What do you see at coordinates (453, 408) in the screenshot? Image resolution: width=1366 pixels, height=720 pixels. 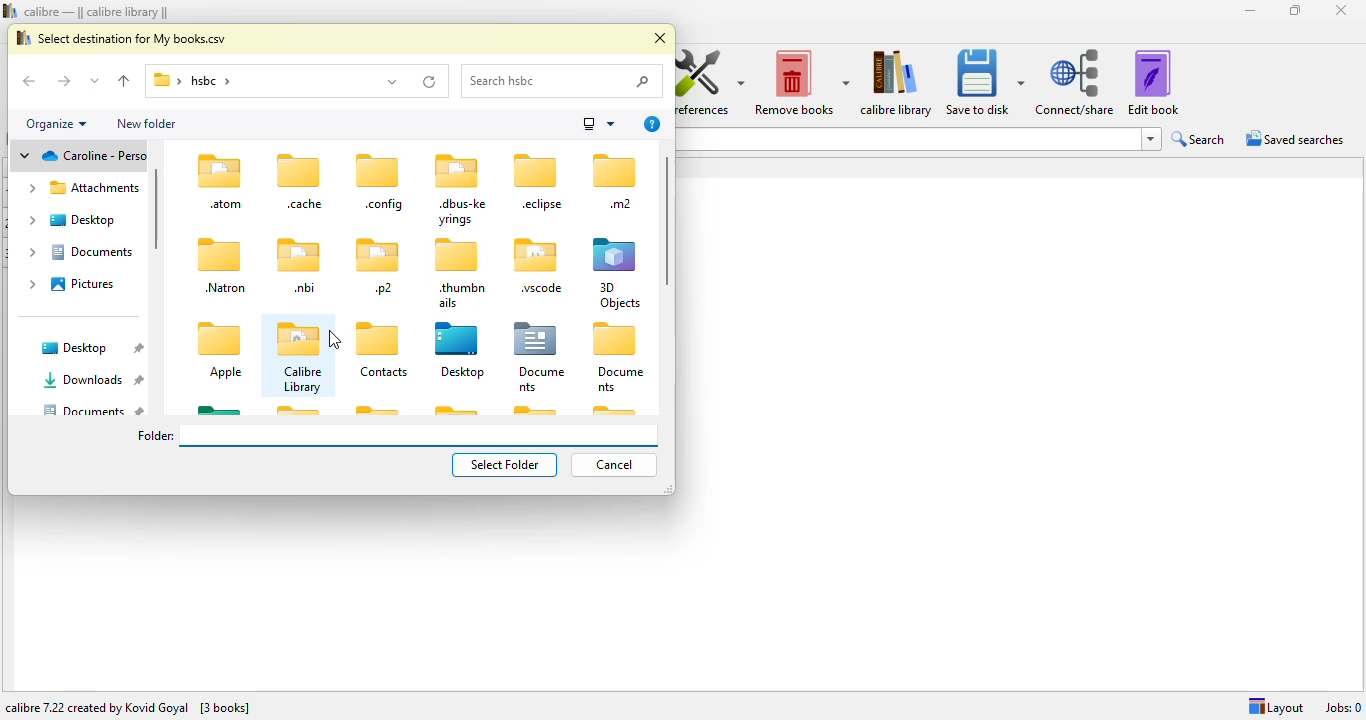 I see `folders` at bounding box center [453, 408].